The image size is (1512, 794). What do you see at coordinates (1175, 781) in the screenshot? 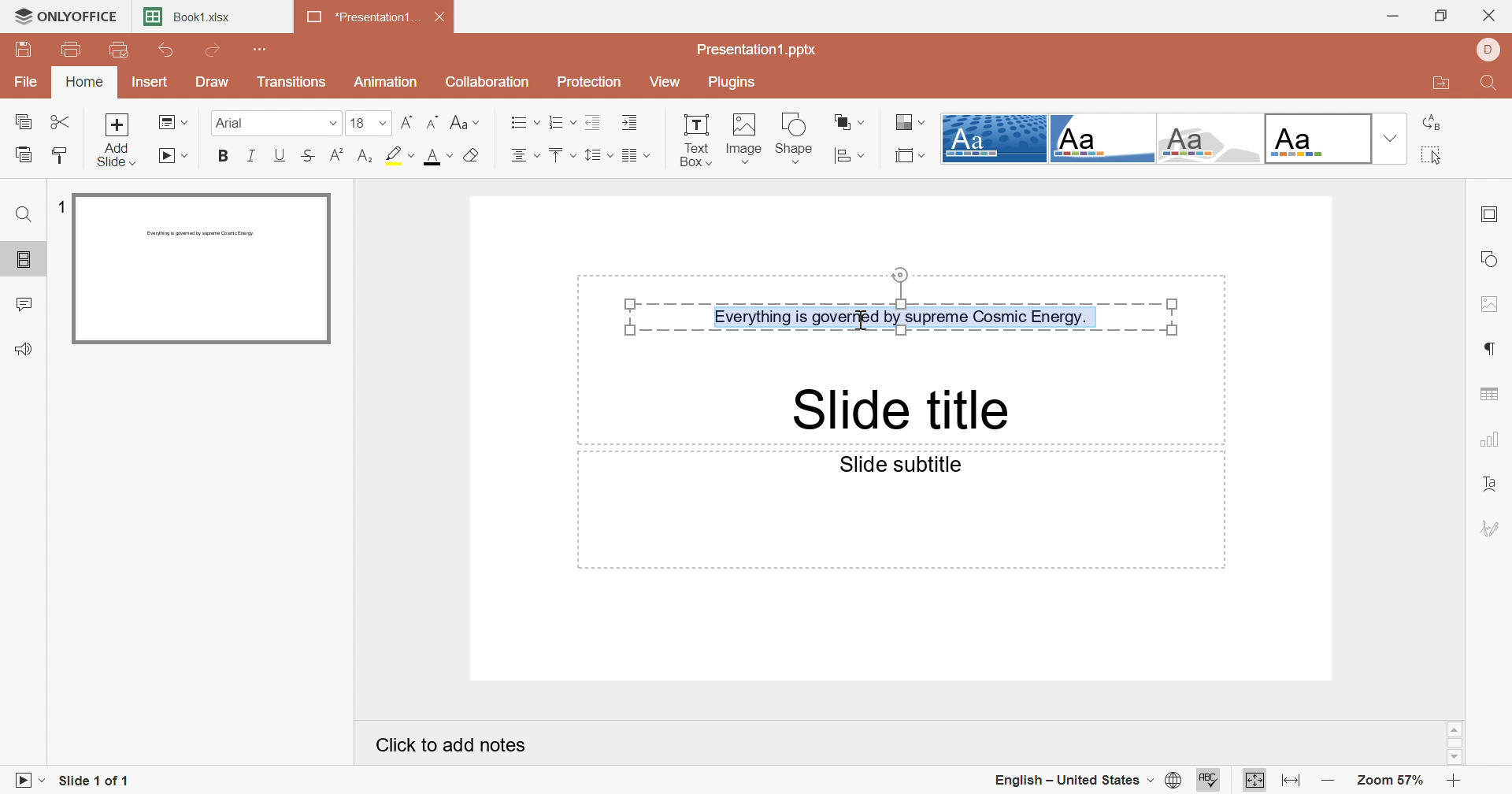
I see `Set document language` at bounding box center [1175, 781].